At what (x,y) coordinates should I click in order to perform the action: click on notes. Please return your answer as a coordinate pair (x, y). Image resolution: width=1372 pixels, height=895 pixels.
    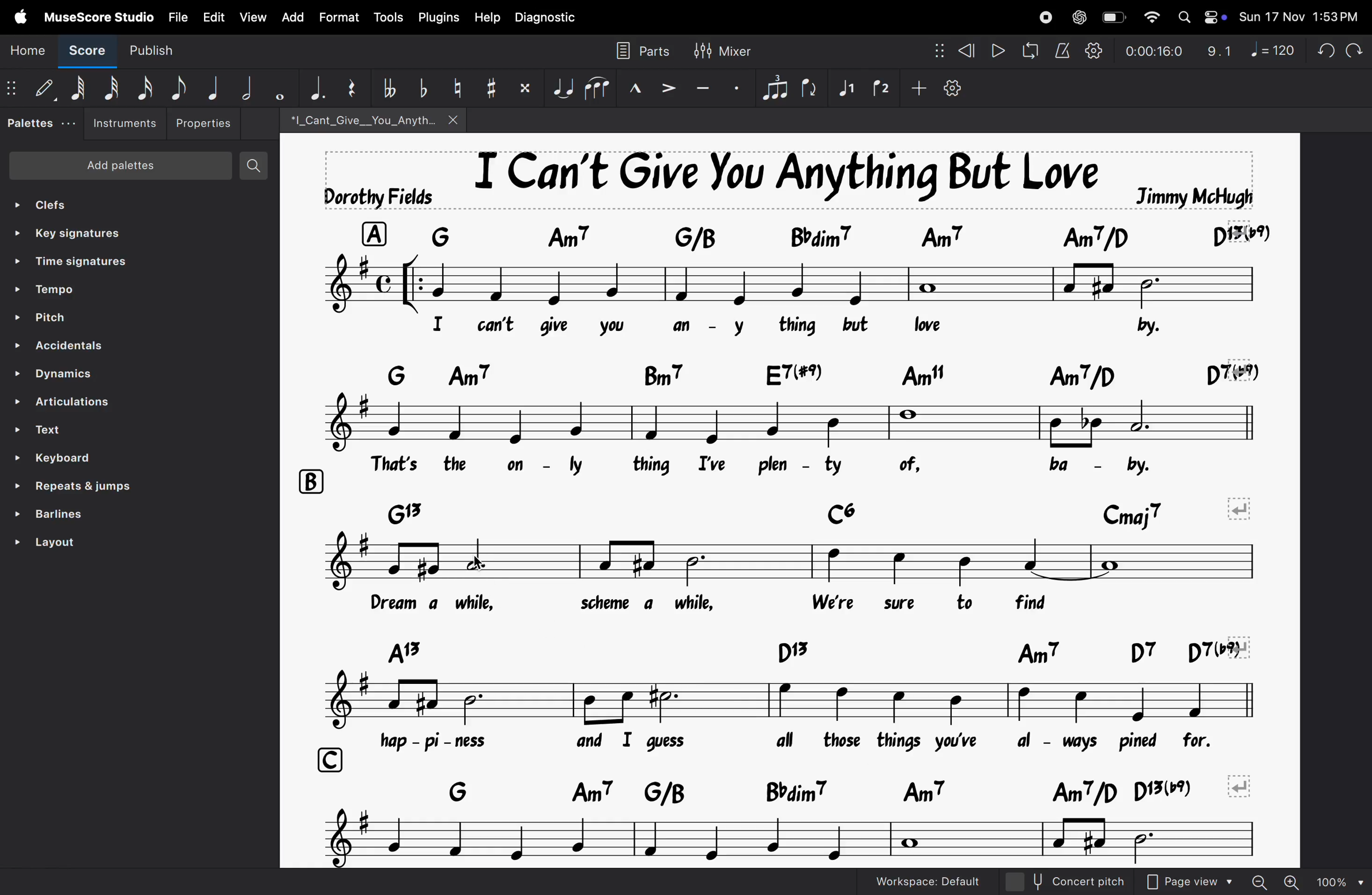
    Looking at the image, I should click on (783, 701).